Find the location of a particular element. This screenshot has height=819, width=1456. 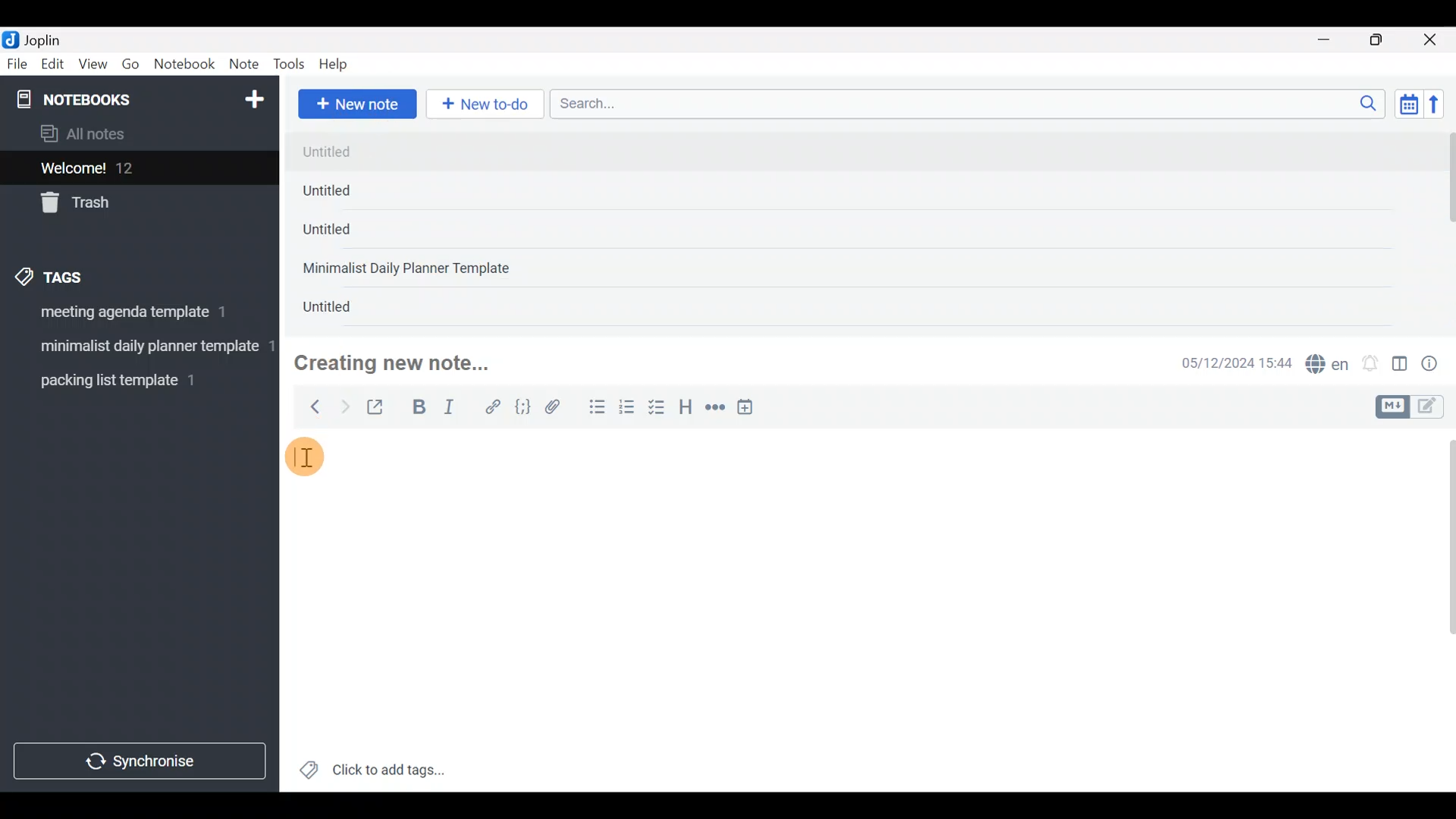

Tag 3 is located at coordinates (134, 380).